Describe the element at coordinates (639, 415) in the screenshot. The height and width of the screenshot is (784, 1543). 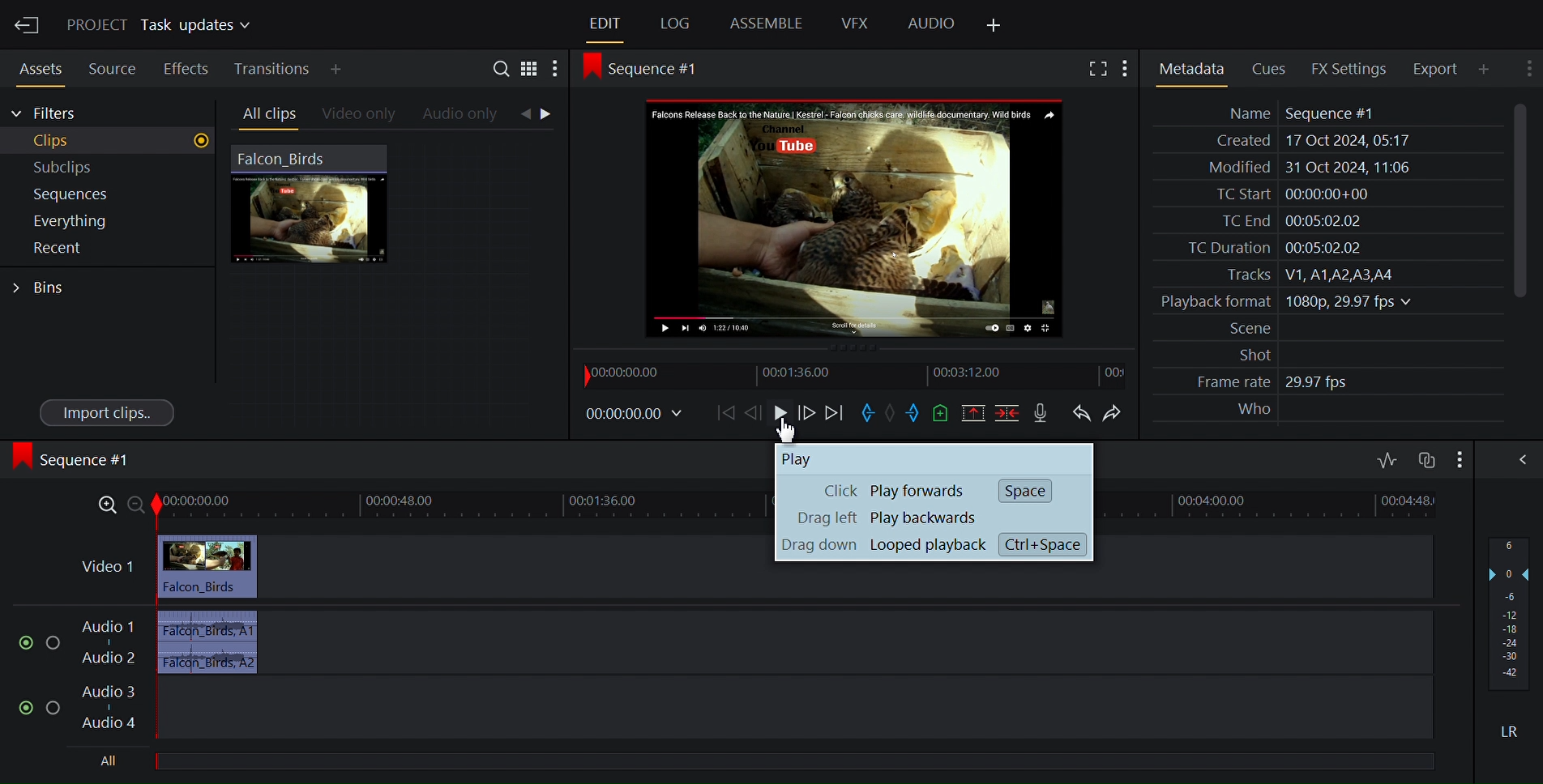
I see `00.00.00.00` at that location.